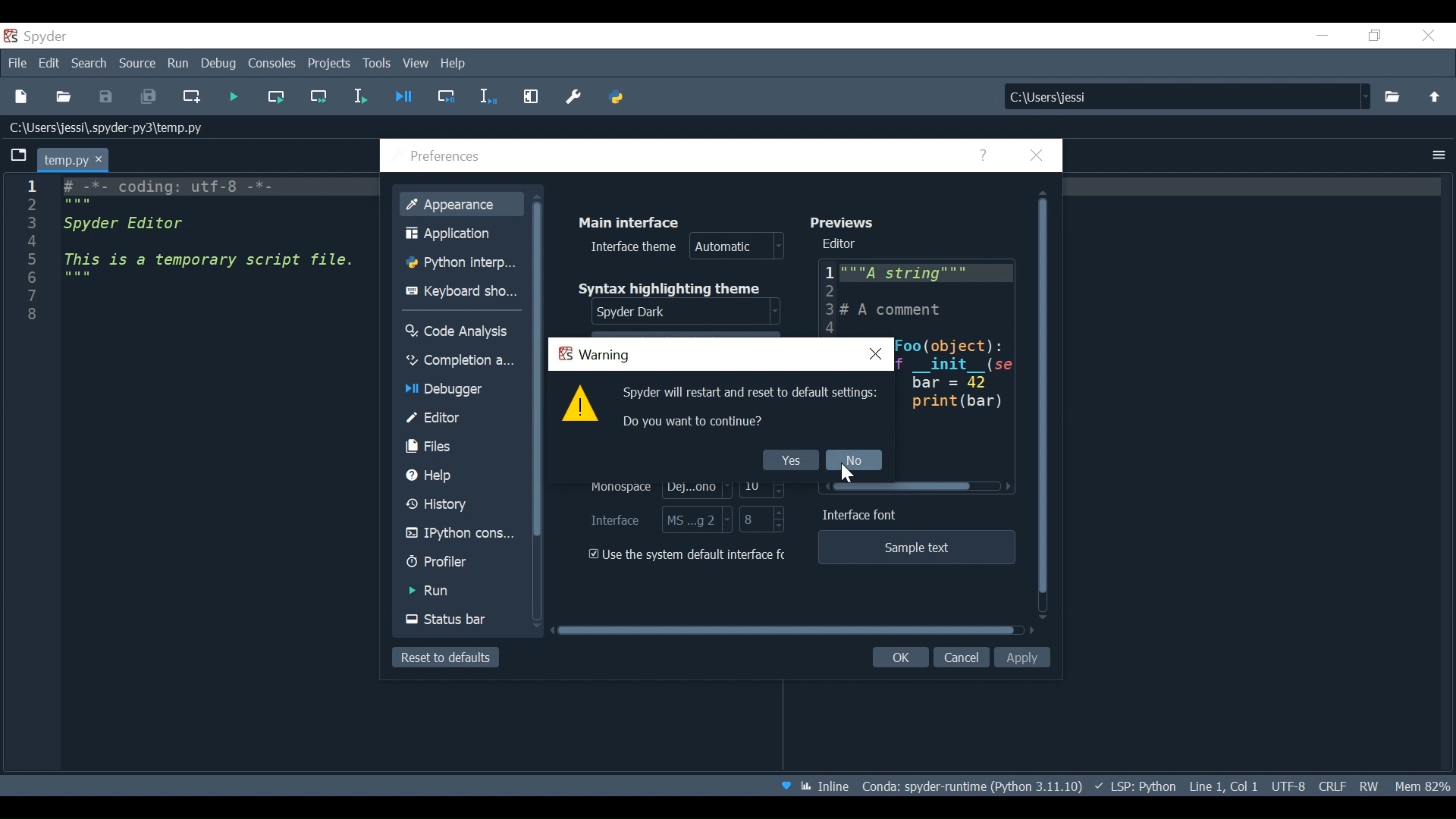 Image resolution: width=1456 pixels, height=819 pixels. I want to click on File EQL Status, so click(1330, 786).